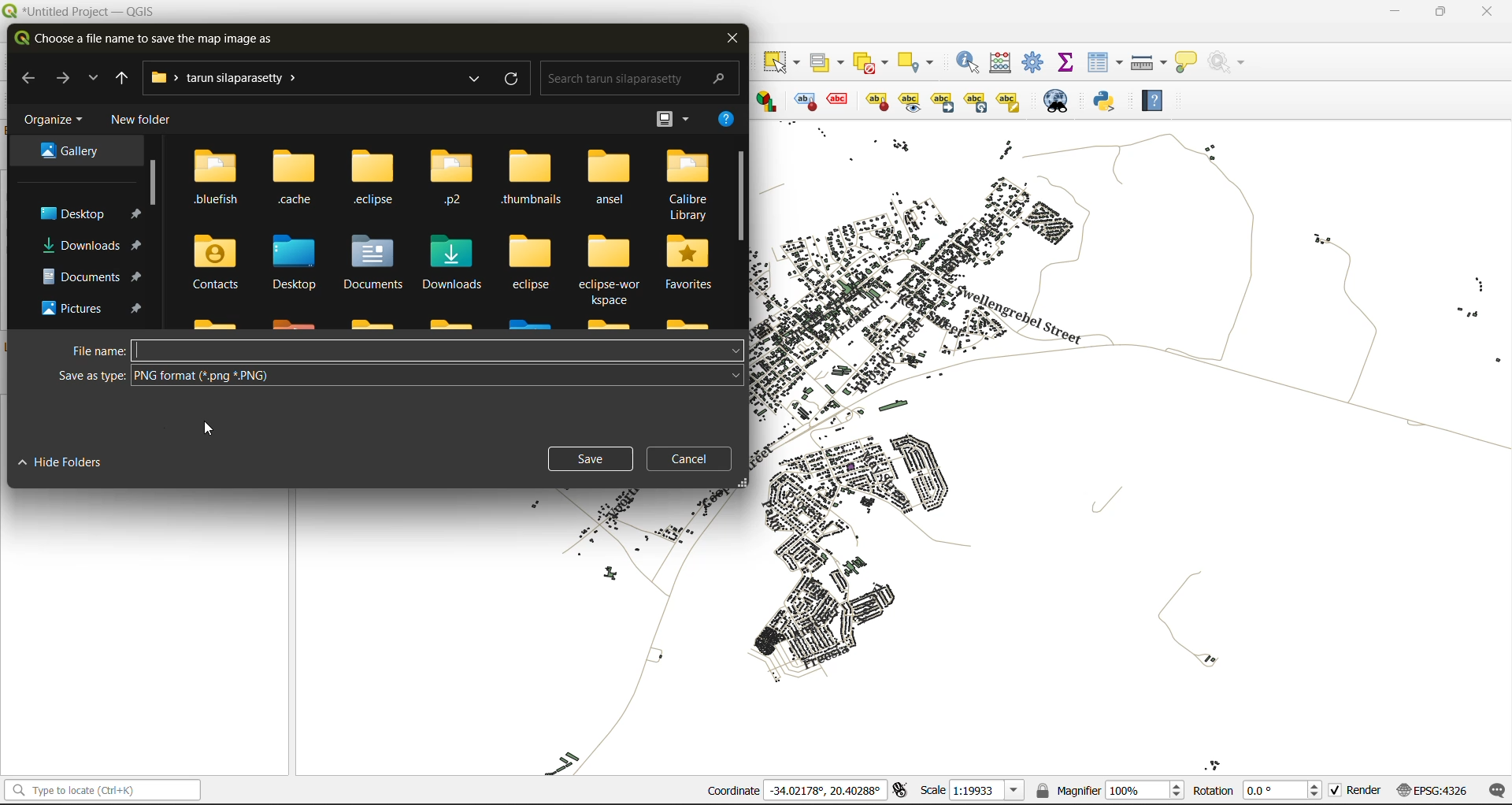  Describe the element at coordinates (1191, 61) in the screenshot. I see `show tips` at that location.